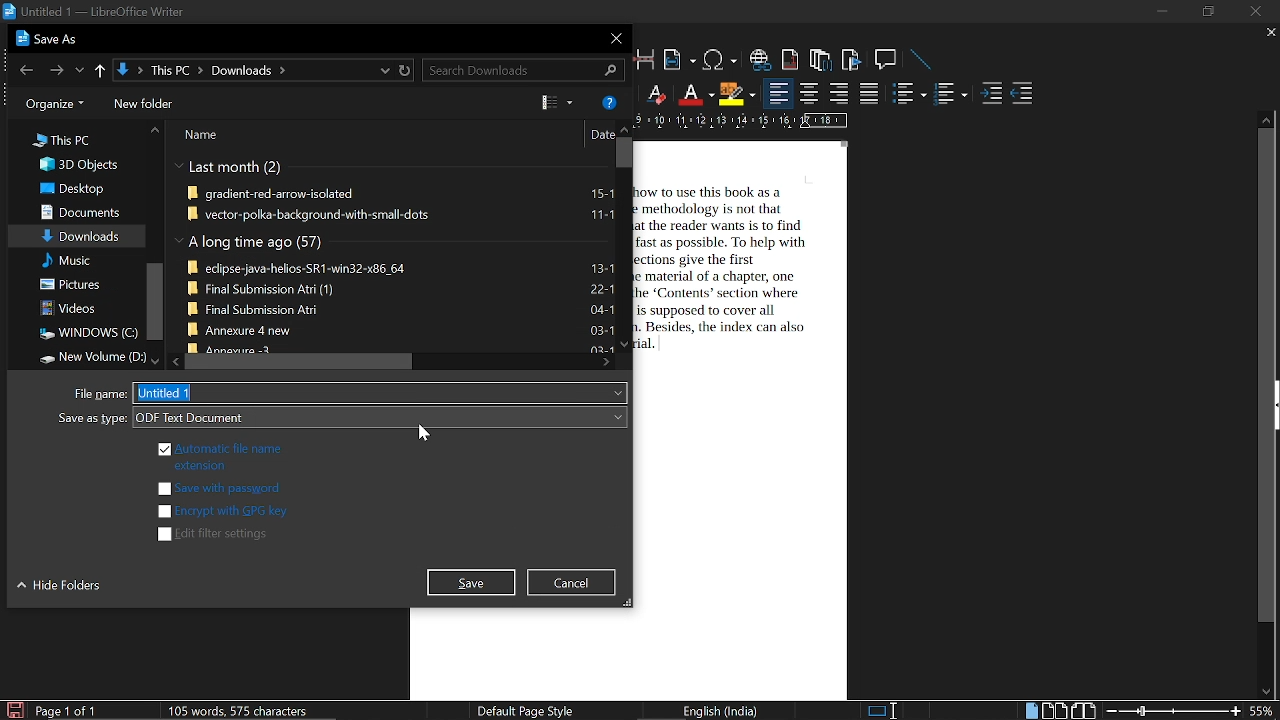  What do you see at coordinates (922, 60) in the screenshot?
I see `line` at bounding box center [922, 60].